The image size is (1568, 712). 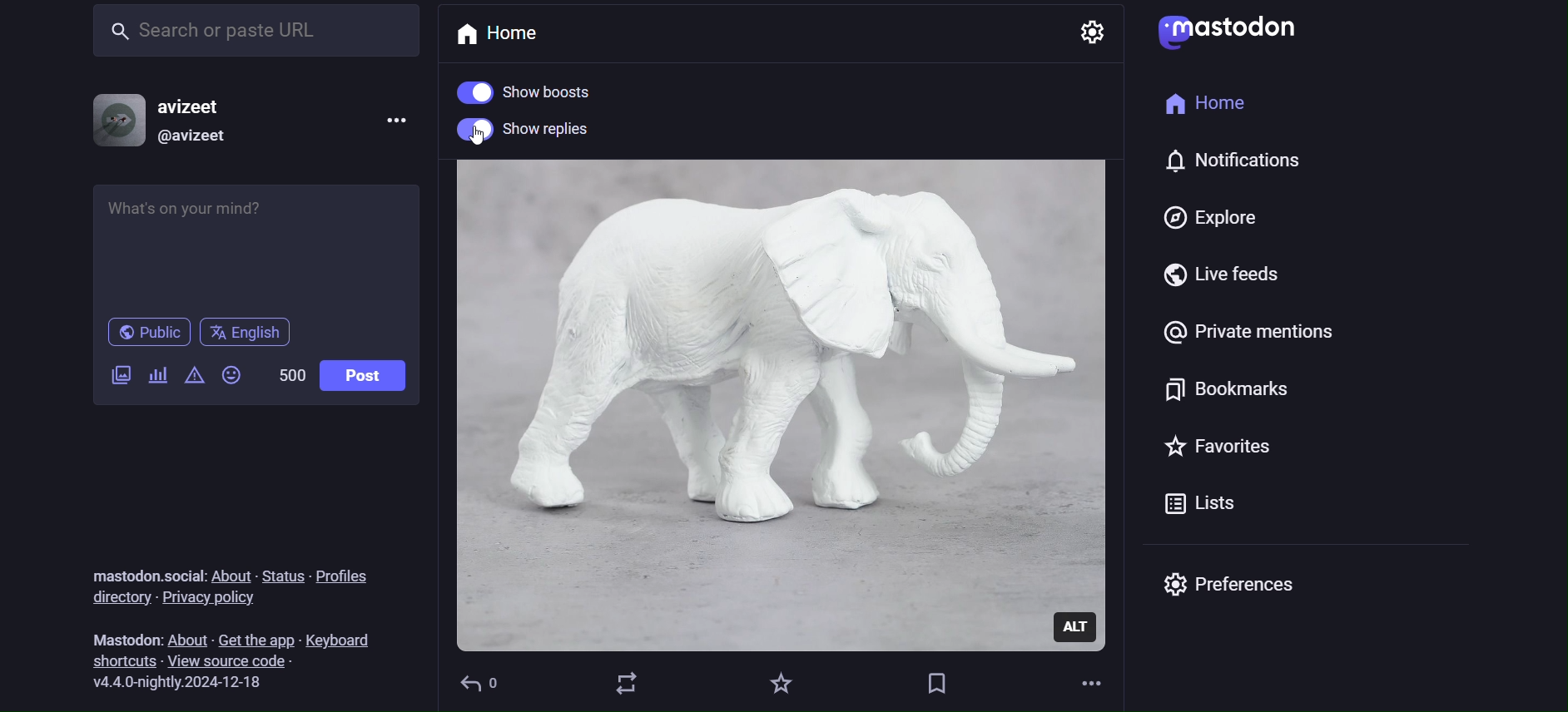 What do you see at coordinates (1216, 452) in the screenshot?
I see `favorites` at bounding box center [1216, 452].